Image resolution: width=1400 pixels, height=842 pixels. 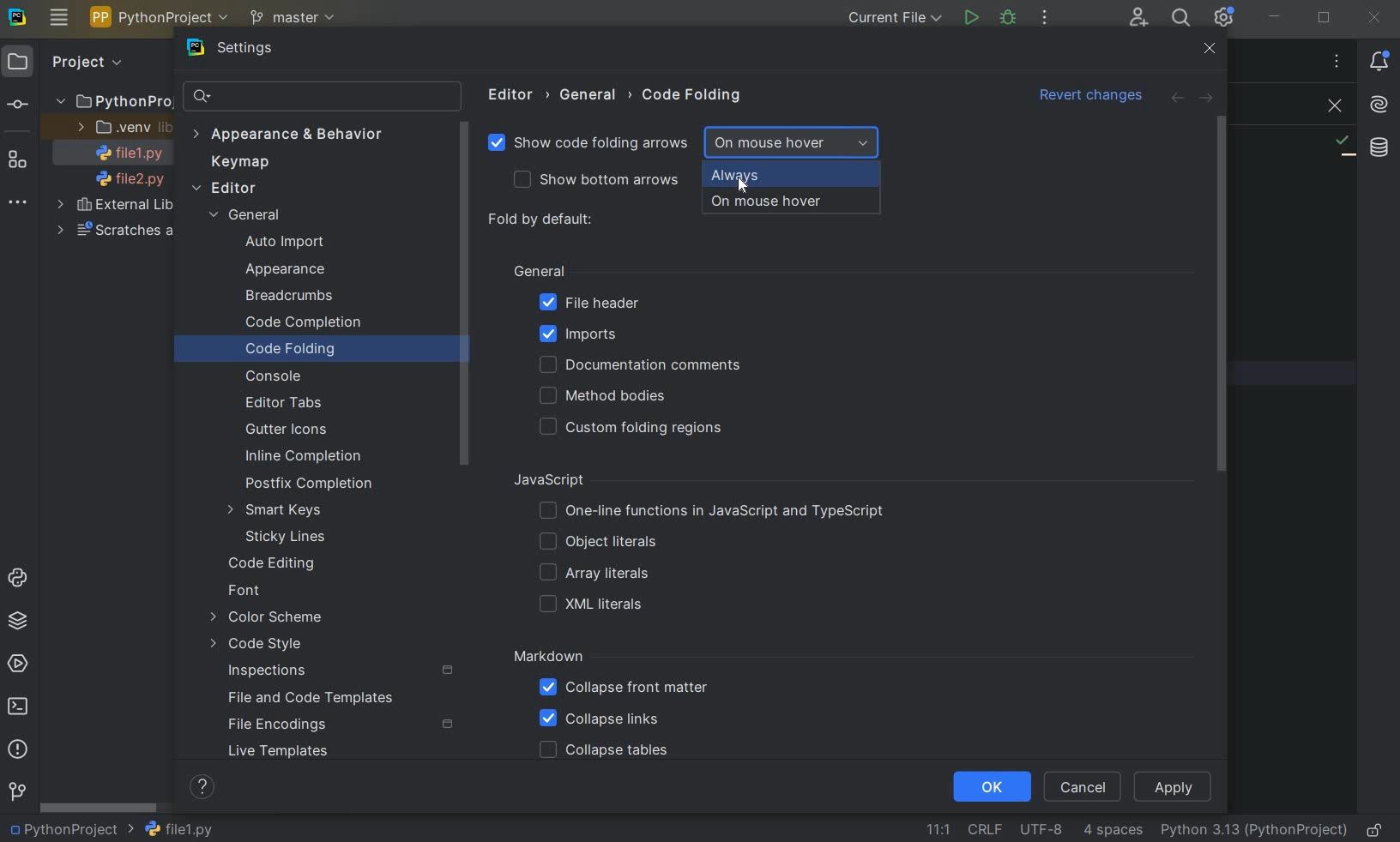 What do you see at coordinates (545, 220) in the screenshot?
I see `FOLD BY DEFAULT` at bounding box center [545, 220].